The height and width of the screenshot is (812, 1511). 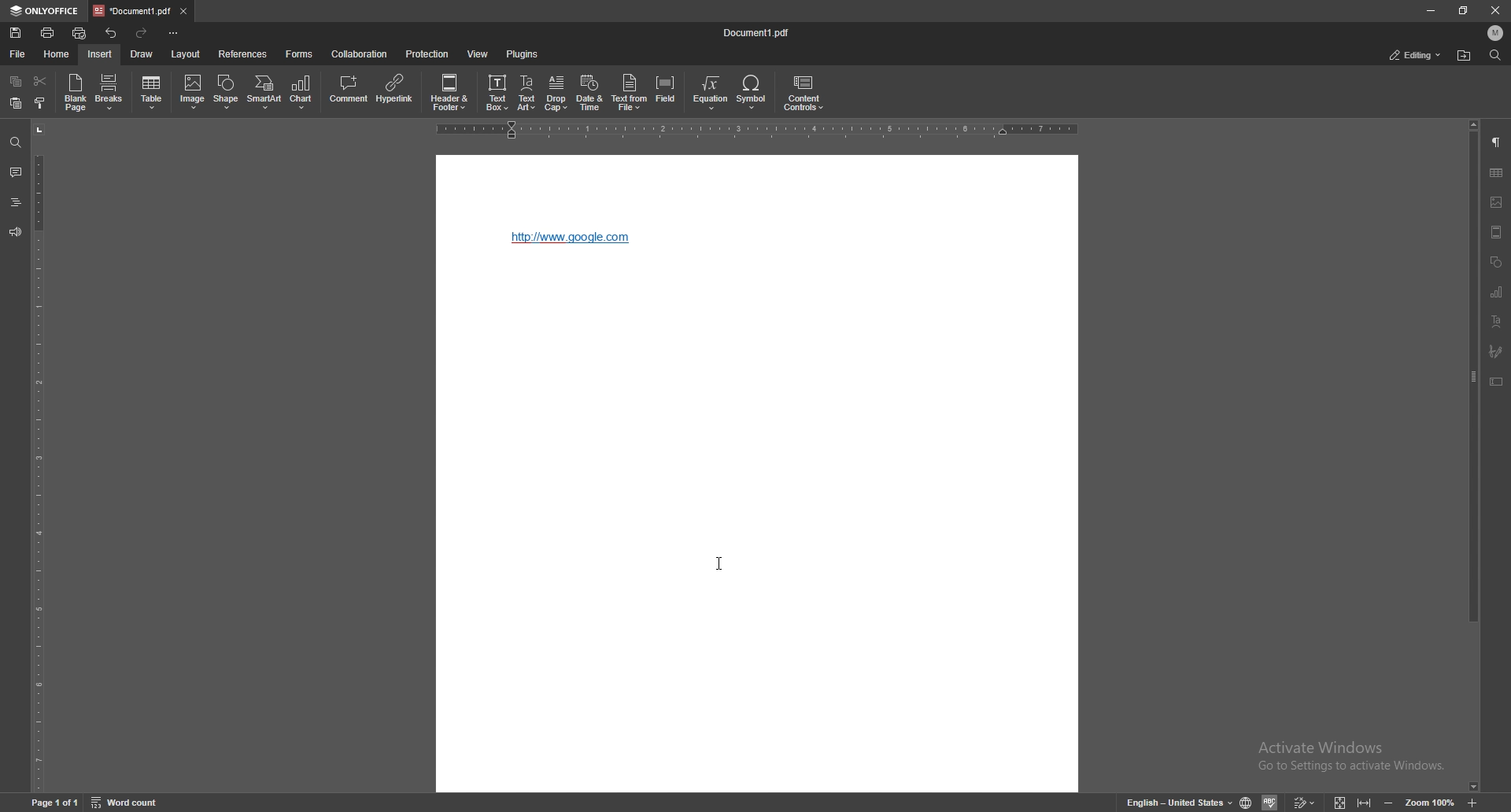 I want to click on vertical scale, so click(x=36, y=456).